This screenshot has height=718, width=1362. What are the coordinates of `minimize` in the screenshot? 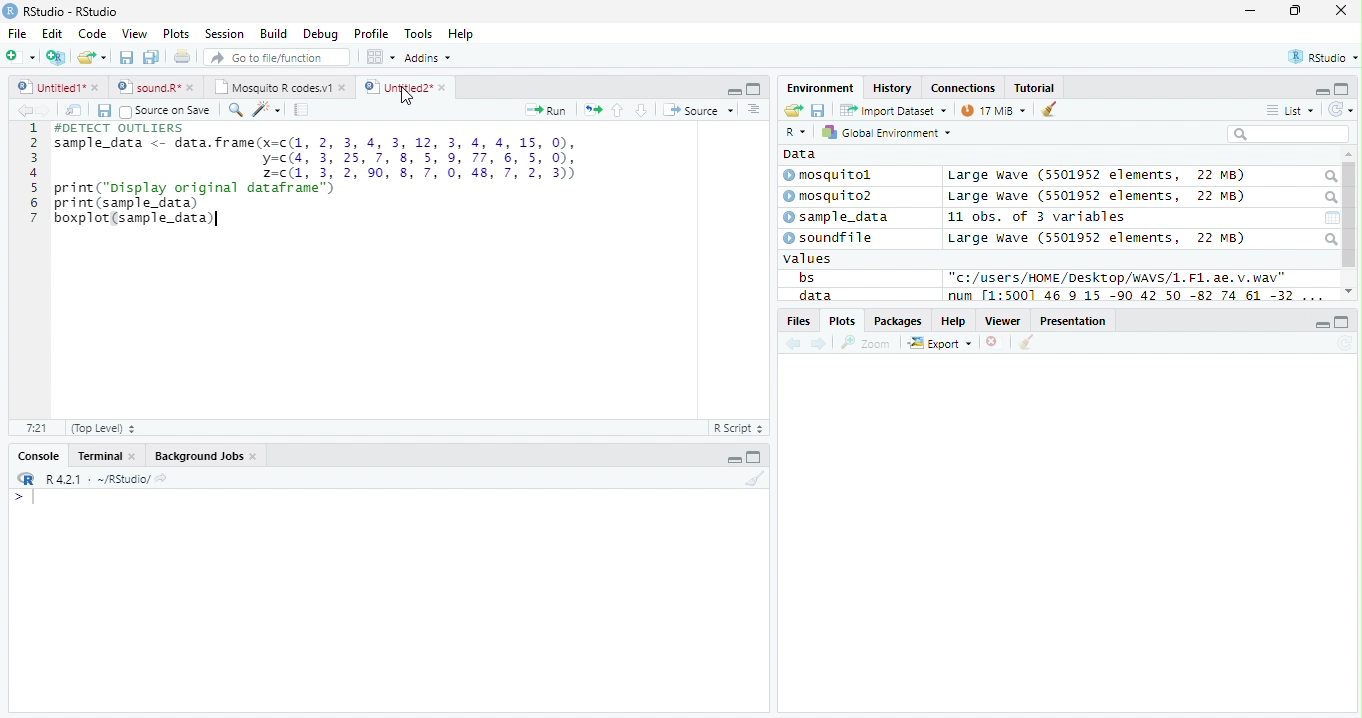 It's located at (734, 90).